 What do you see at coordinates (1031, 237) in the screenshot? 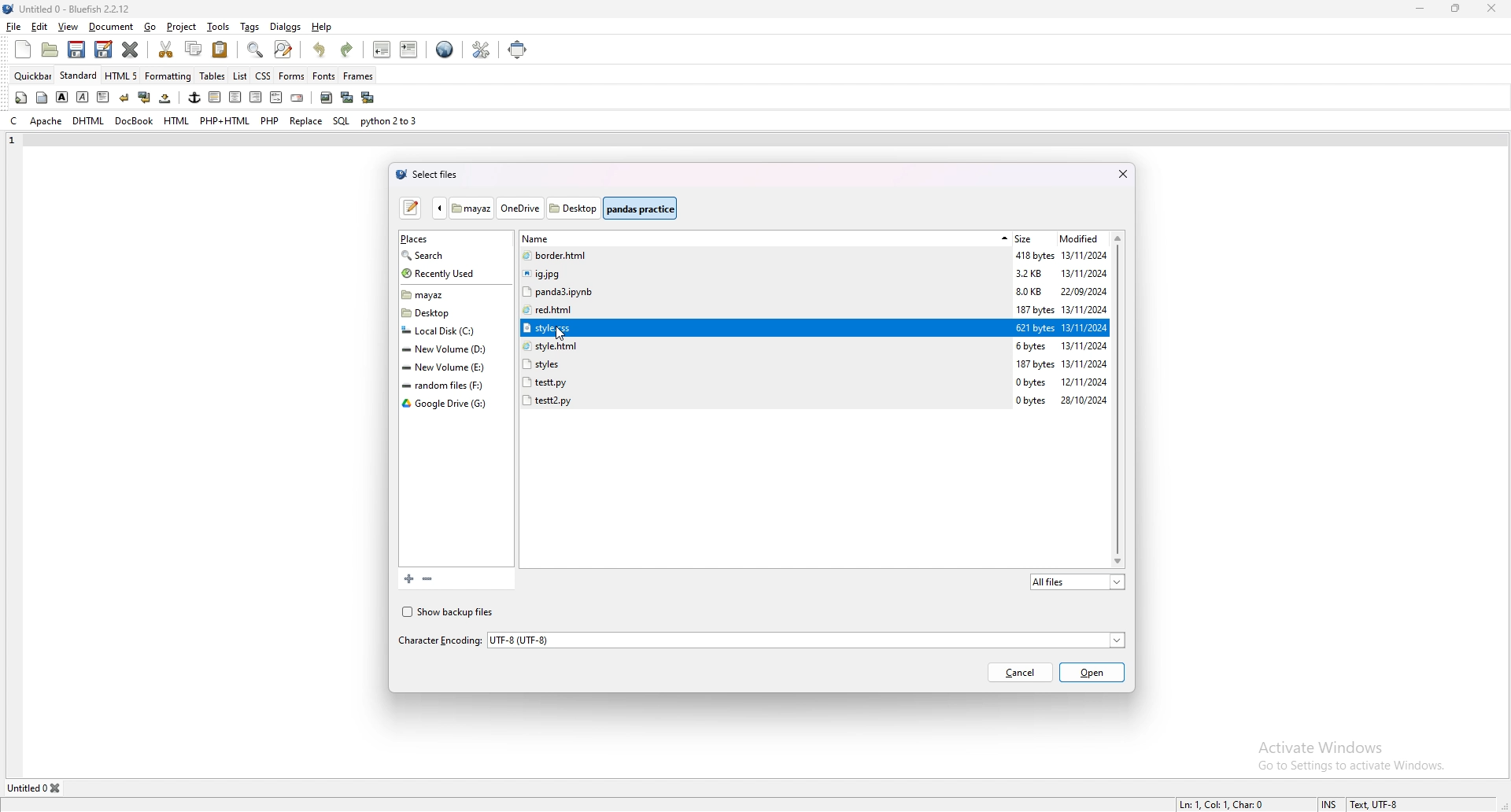
I see `size` at bounding box center [1031, 237].